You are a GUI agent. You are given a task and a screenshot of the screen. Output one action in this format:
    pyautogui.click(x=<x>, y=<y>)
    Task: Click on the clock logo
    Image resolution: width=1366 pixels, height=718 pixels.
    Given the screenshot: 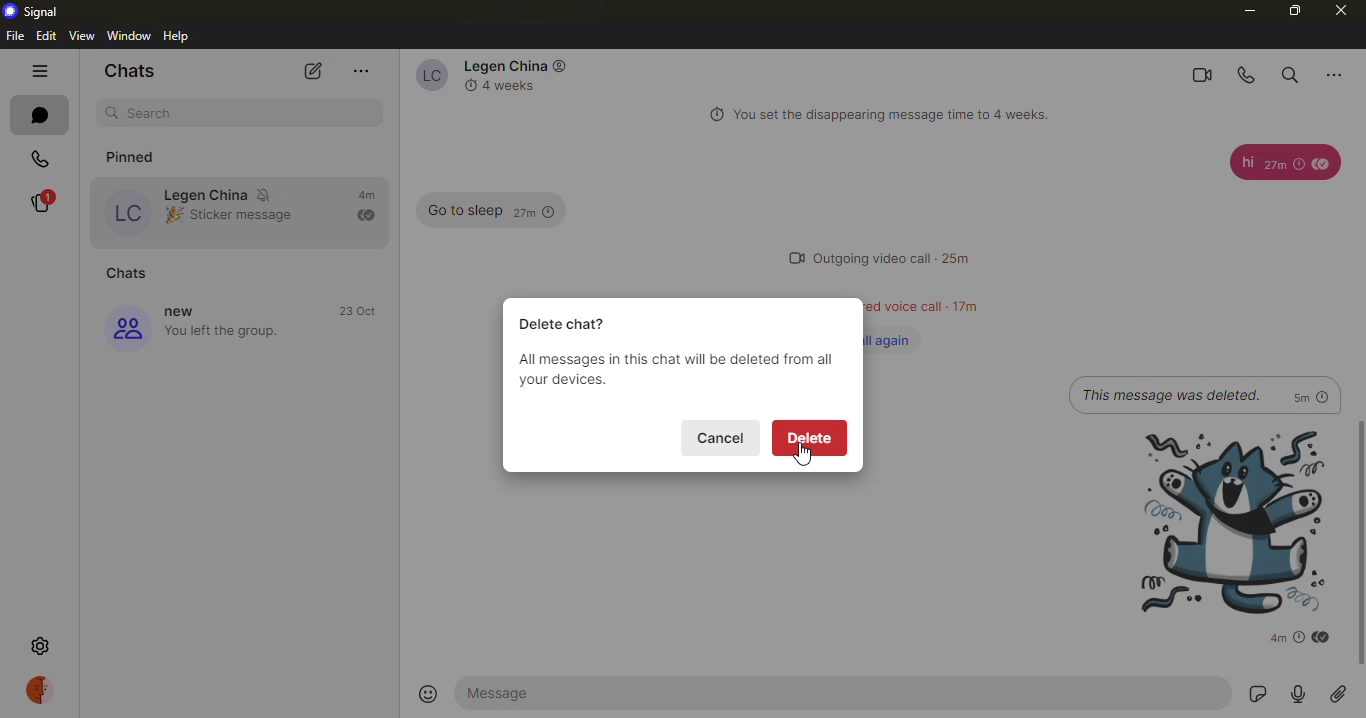 What is the action you would take?
    pyautogui.click(x=467, y=85)
    